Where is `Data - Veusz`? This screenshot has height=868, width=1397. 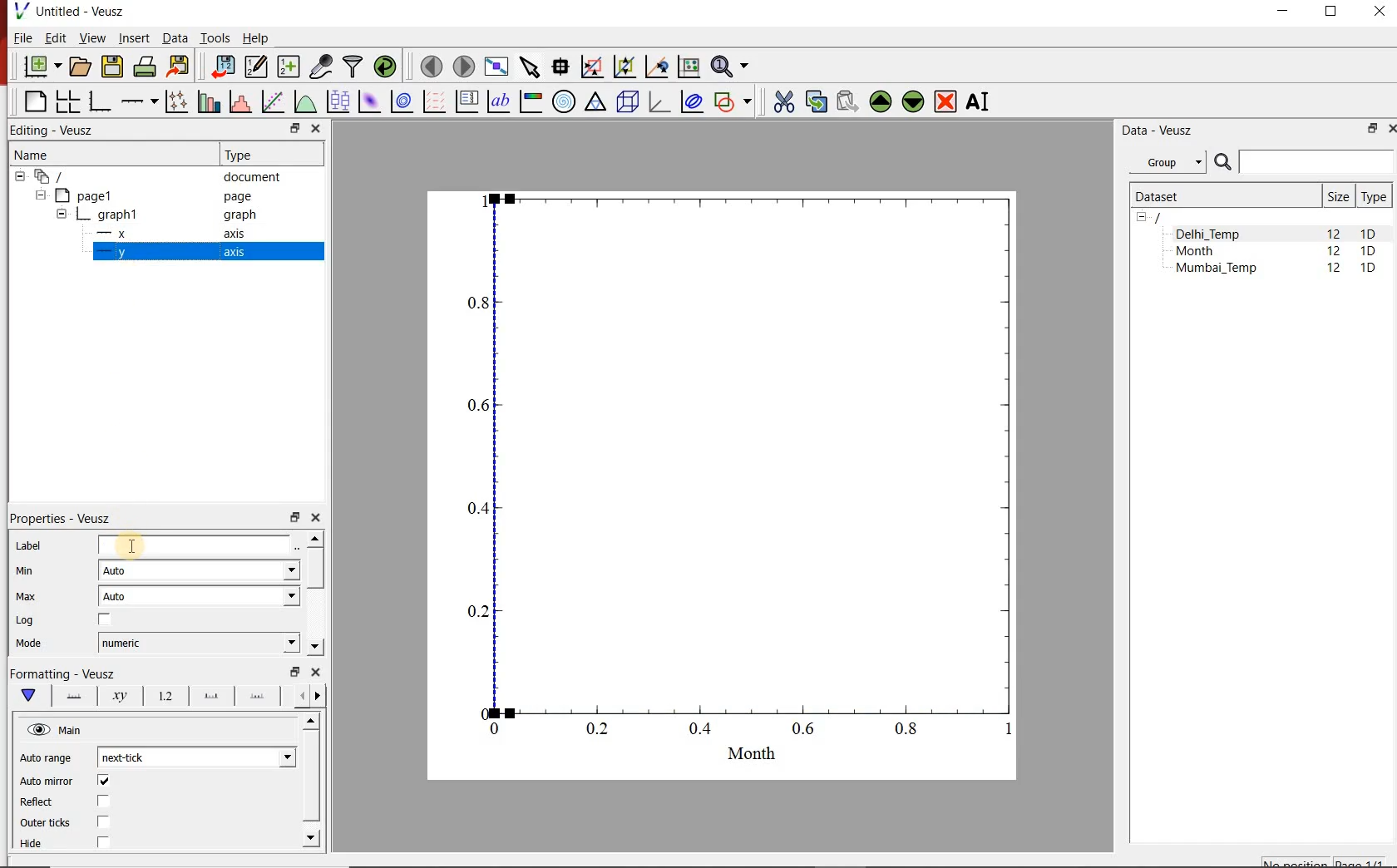
Data - Veusz is located at coordinates (1160, 131).